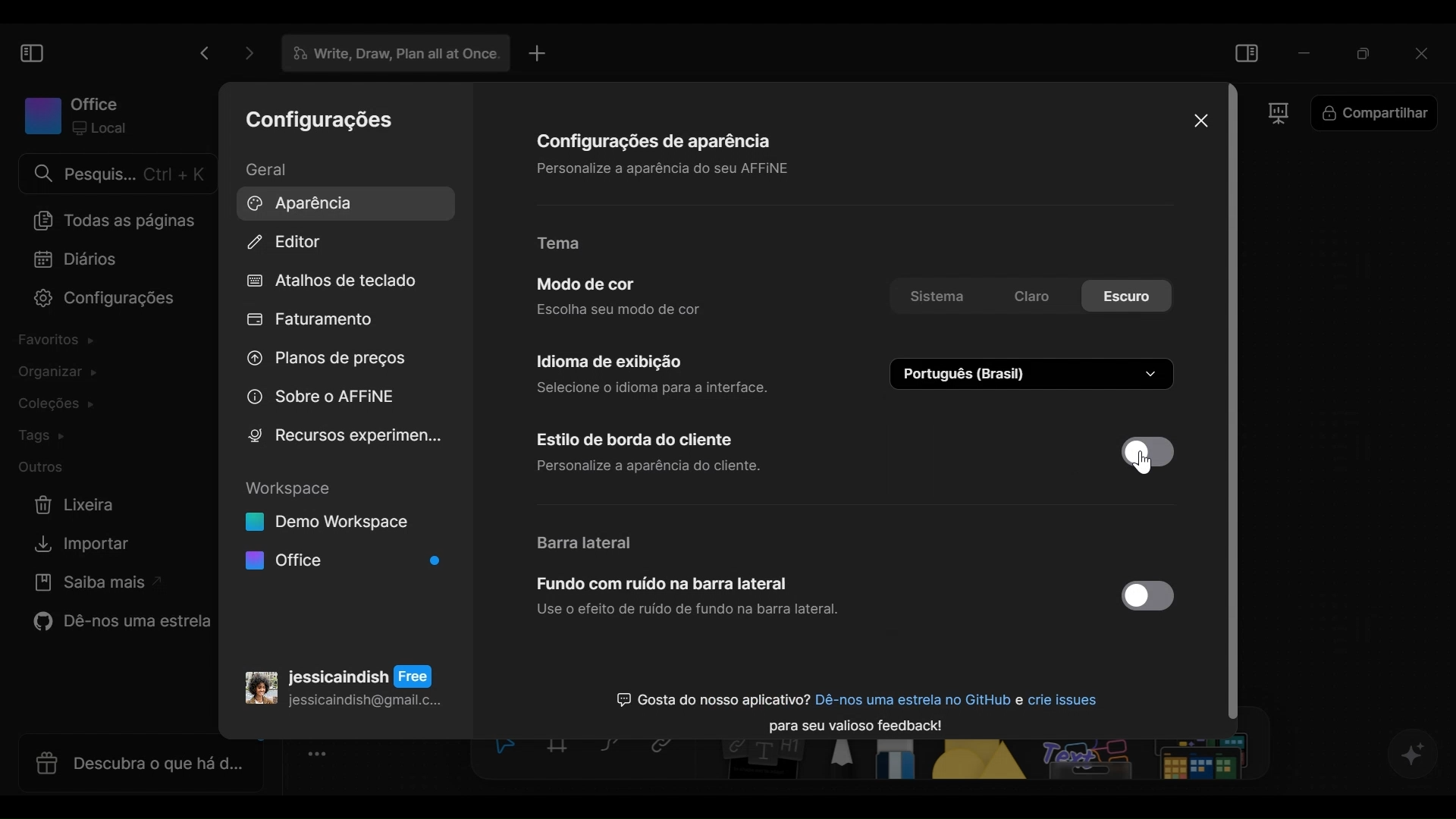  Describe the element at coordinates (116, 174) in the screenshot. I see `Search` at that location.